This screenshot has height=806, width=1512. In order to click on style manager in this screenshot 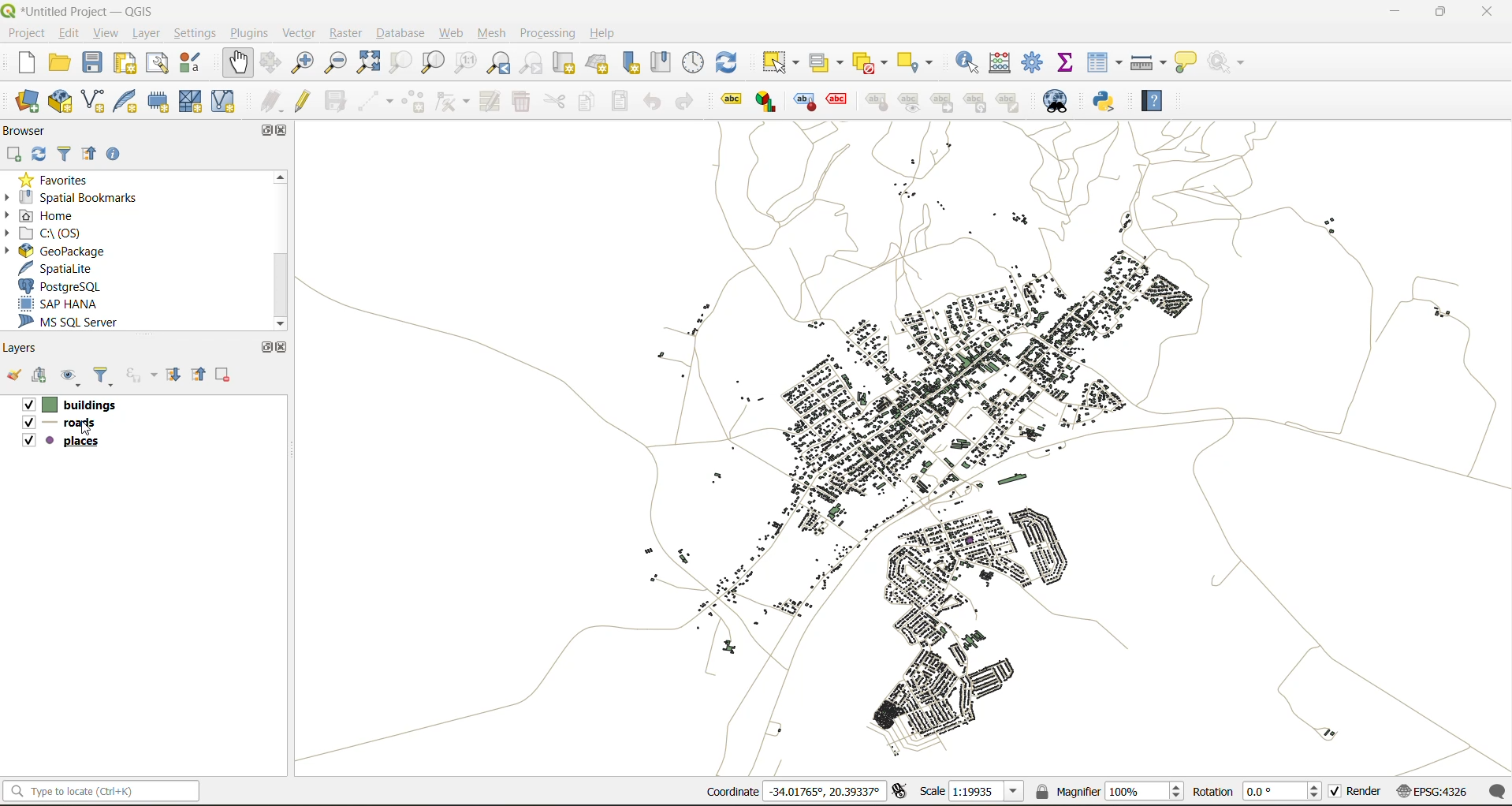, I will do `click(192, 64)`.